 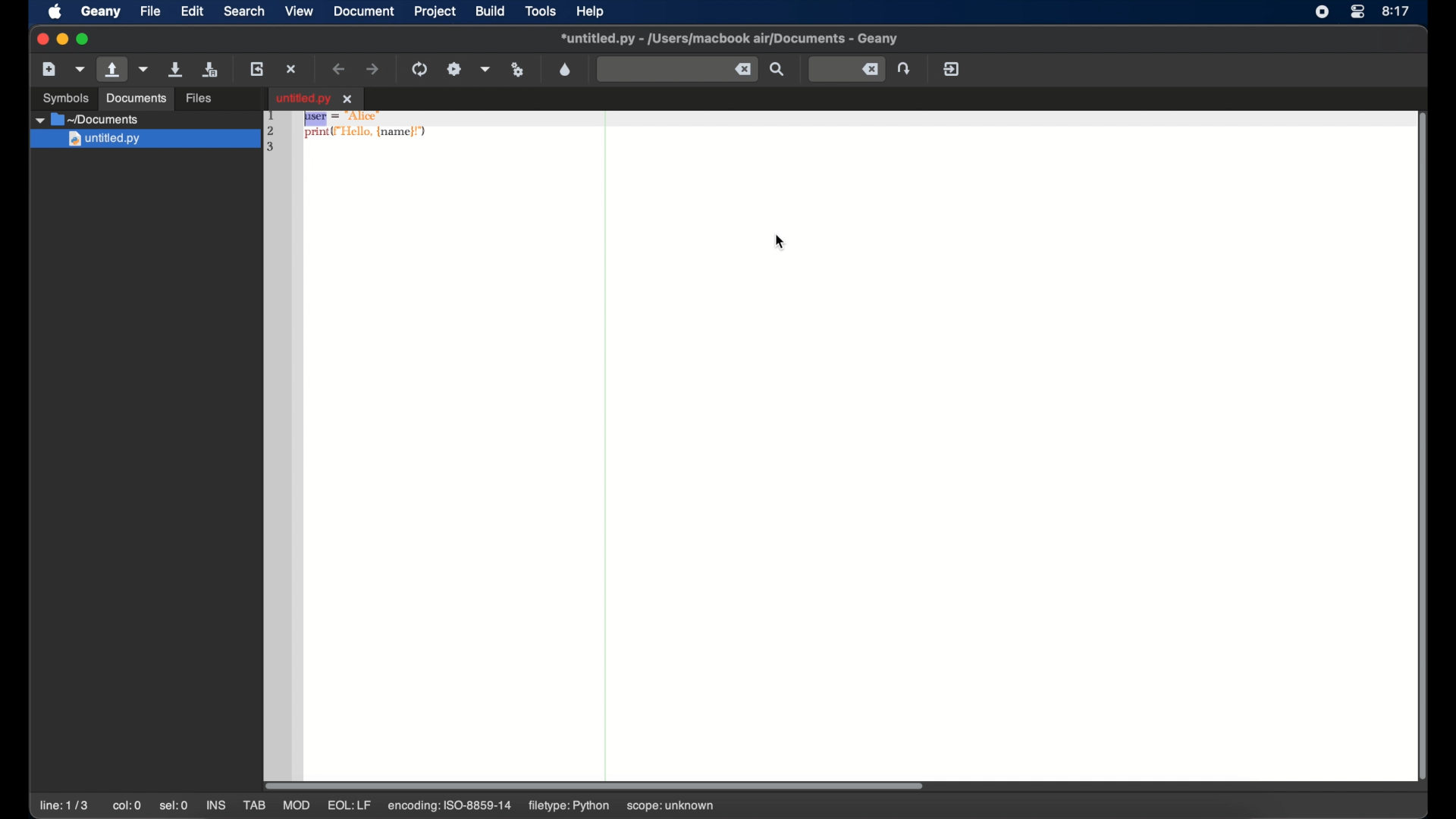 What do you see at coordinates (491, 11) in the screenshot?
I see `build` at bounding box center [491, 11].